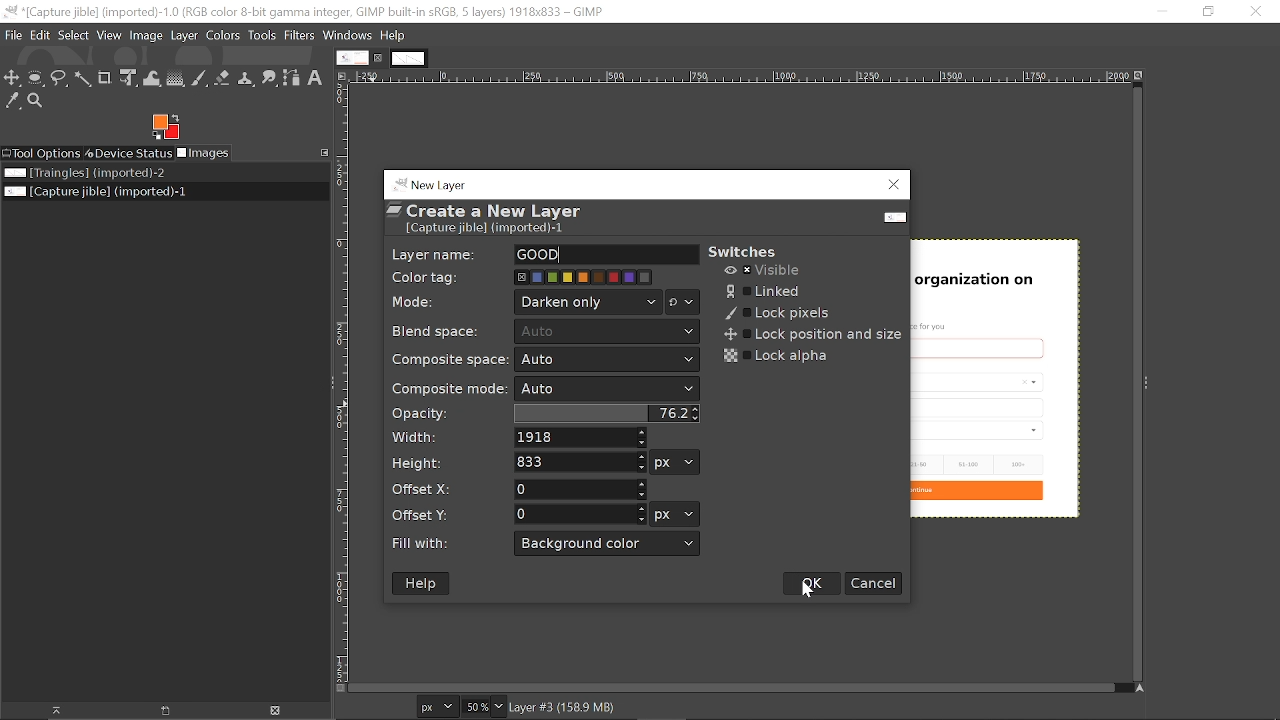 This screenshot has height=720, width=1280. I want to click on Fill with:, so click(428, 542).